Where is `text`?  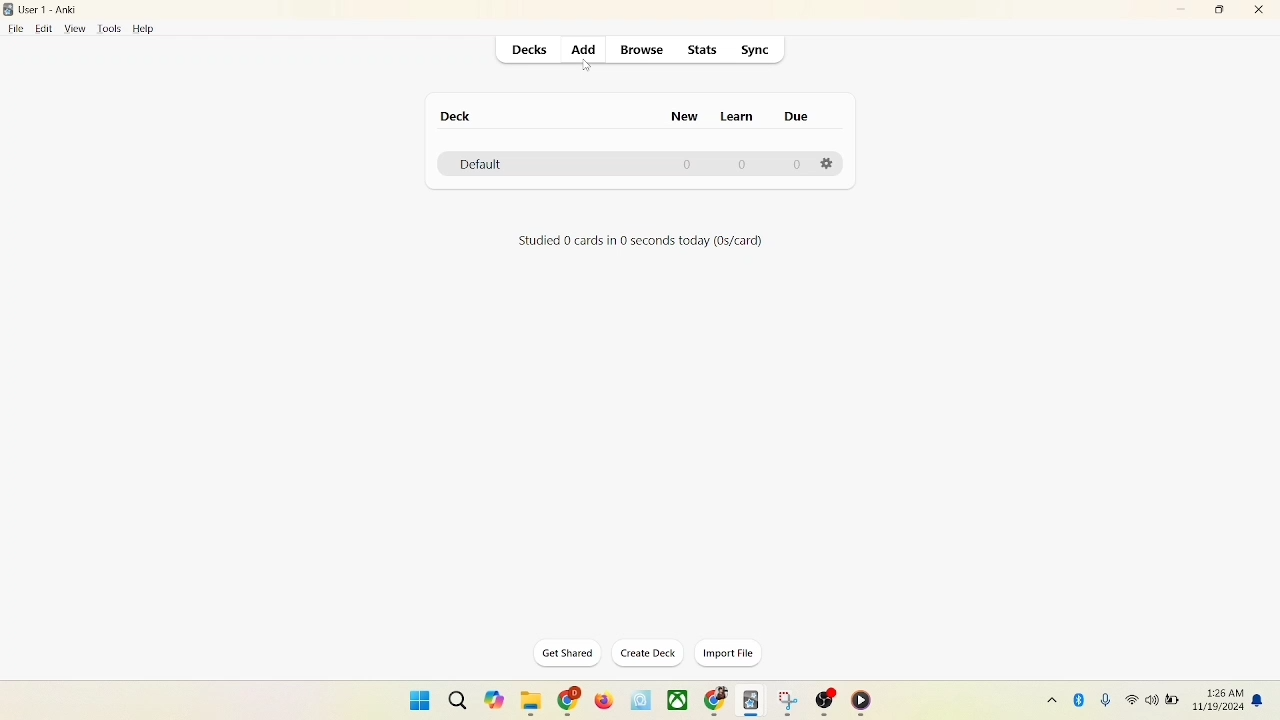 text is located at coordinates (641, 239).